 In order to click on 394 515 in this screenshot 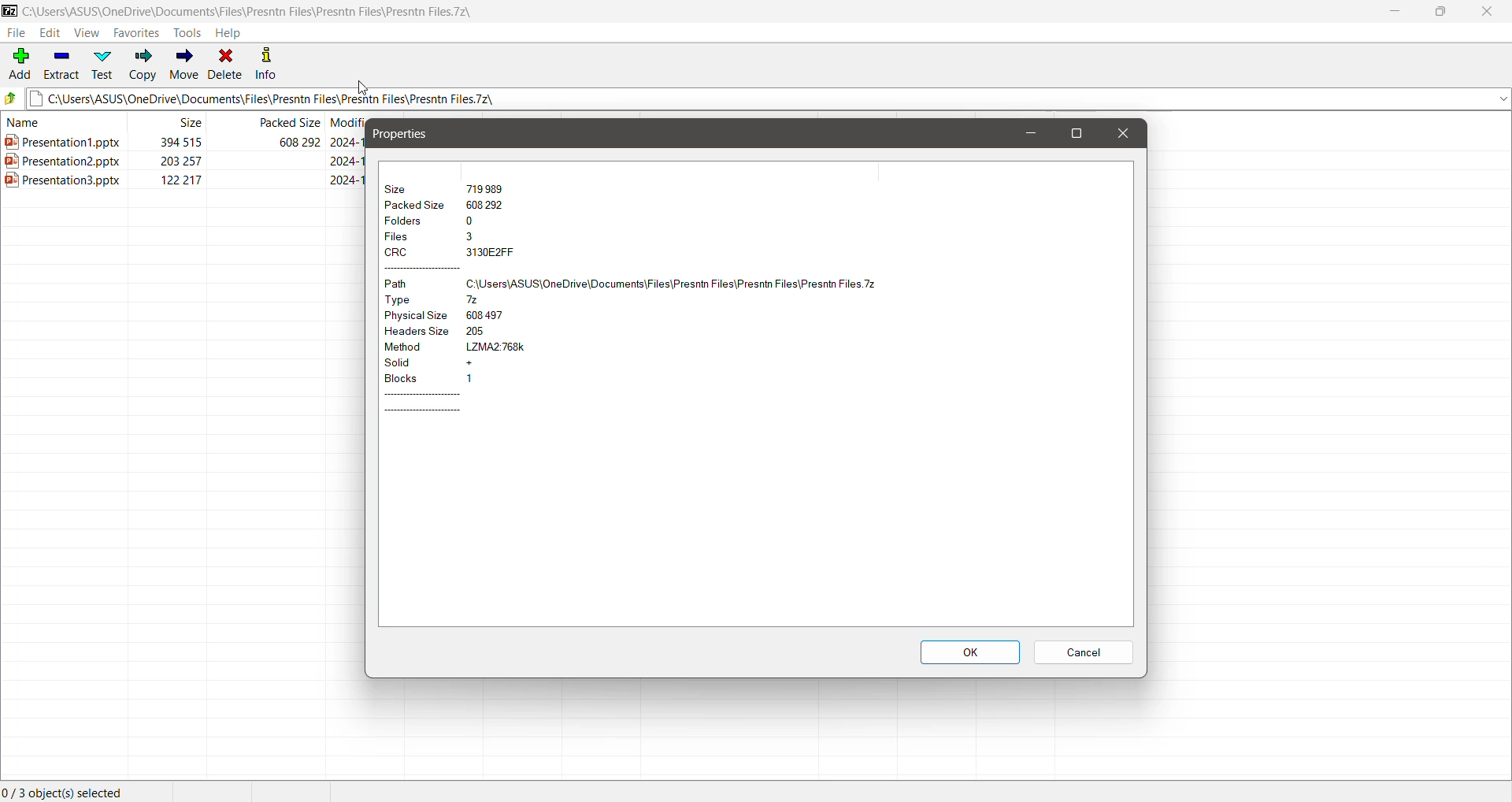, I will do `click(168, 139)`.